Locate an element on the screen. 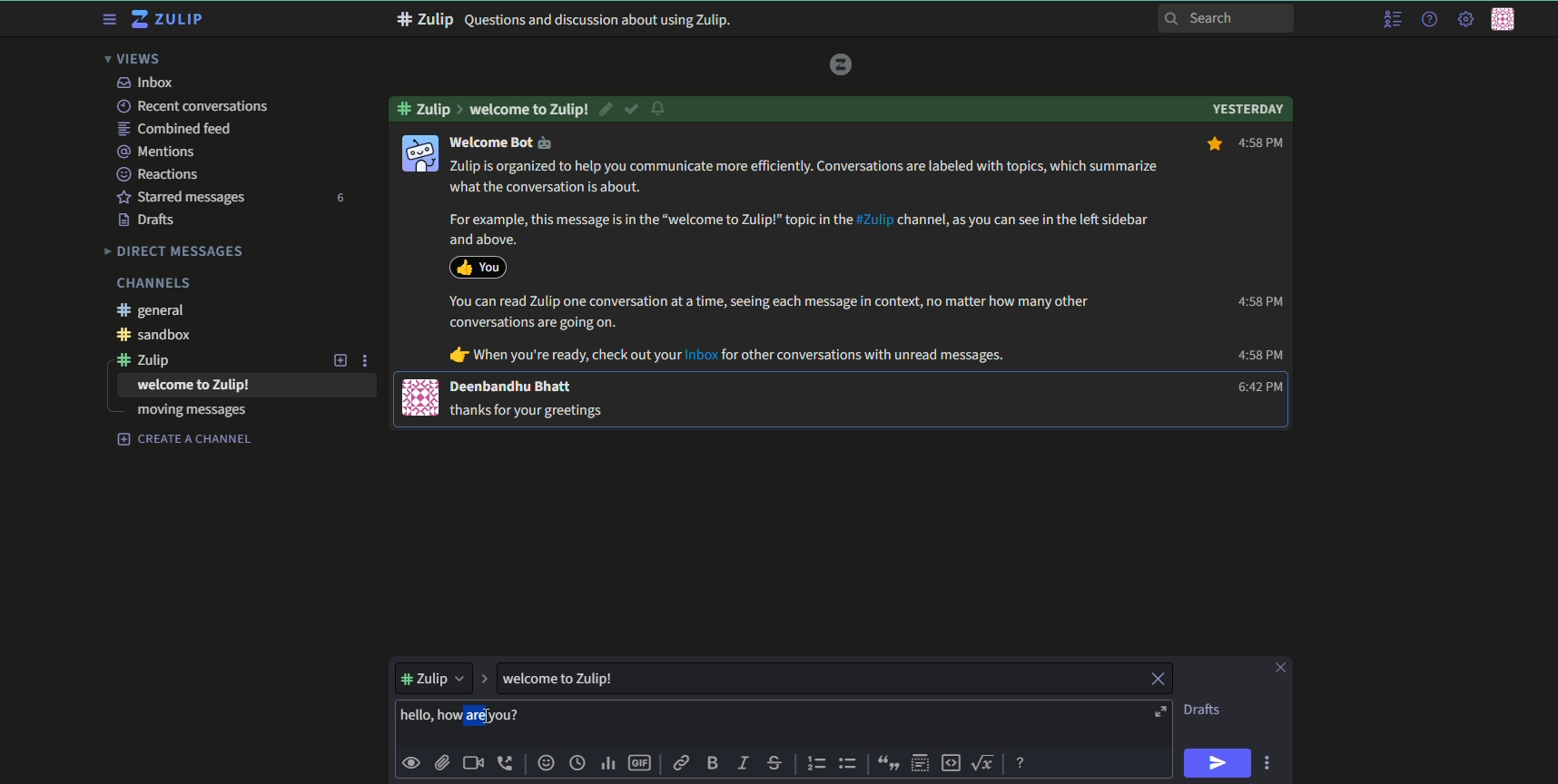  menu is located at coordinates (1391, 20).